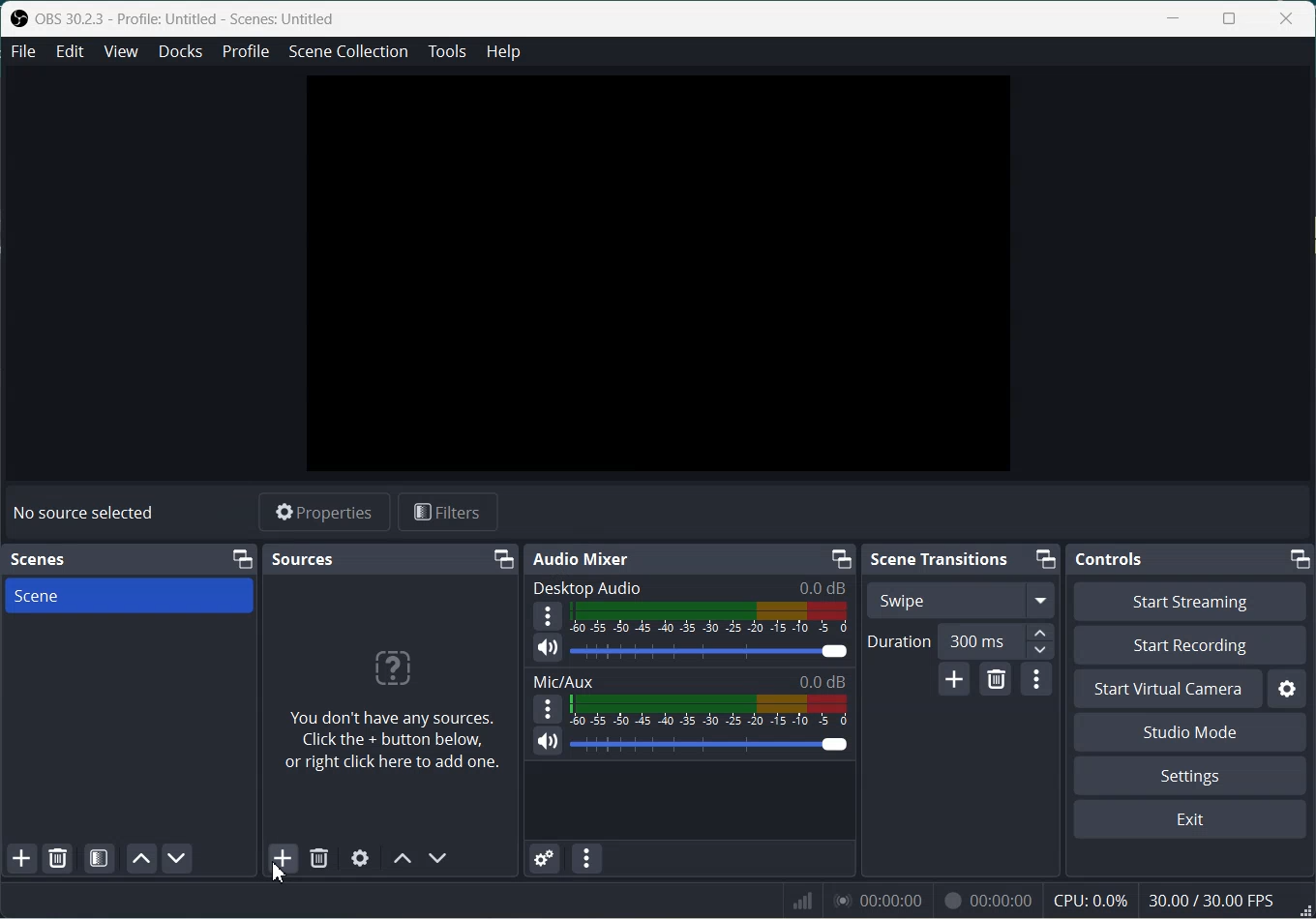 The width and height of the screenshot is (1316, 919). Describe the element at coordinates (881, 898) in the screenshot. I see `00:00:00` at that location.